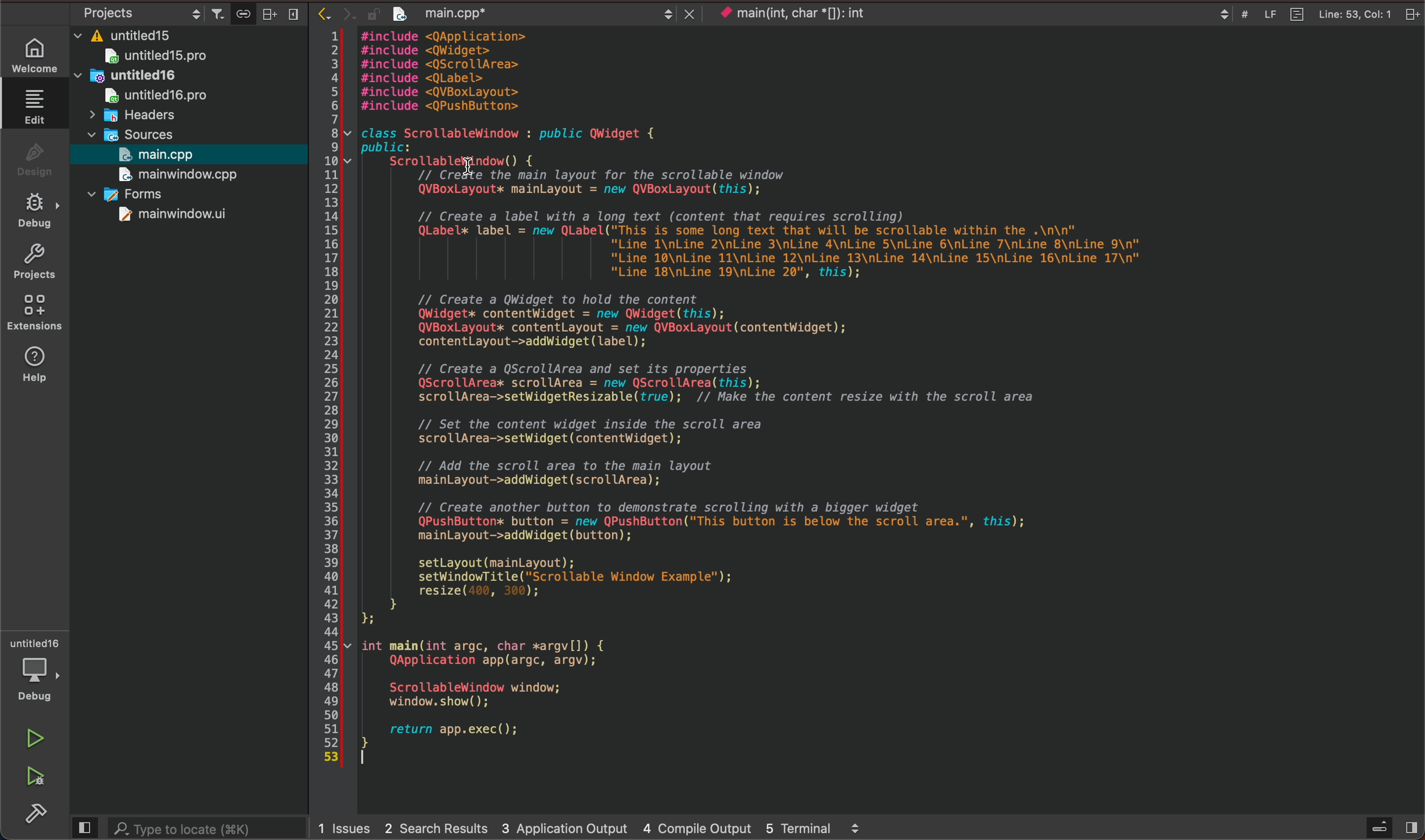  What do you see at coordinates (173, 175) in the screenshot?
I see `mainwindow.cpp` at bounding box center [173, 175].